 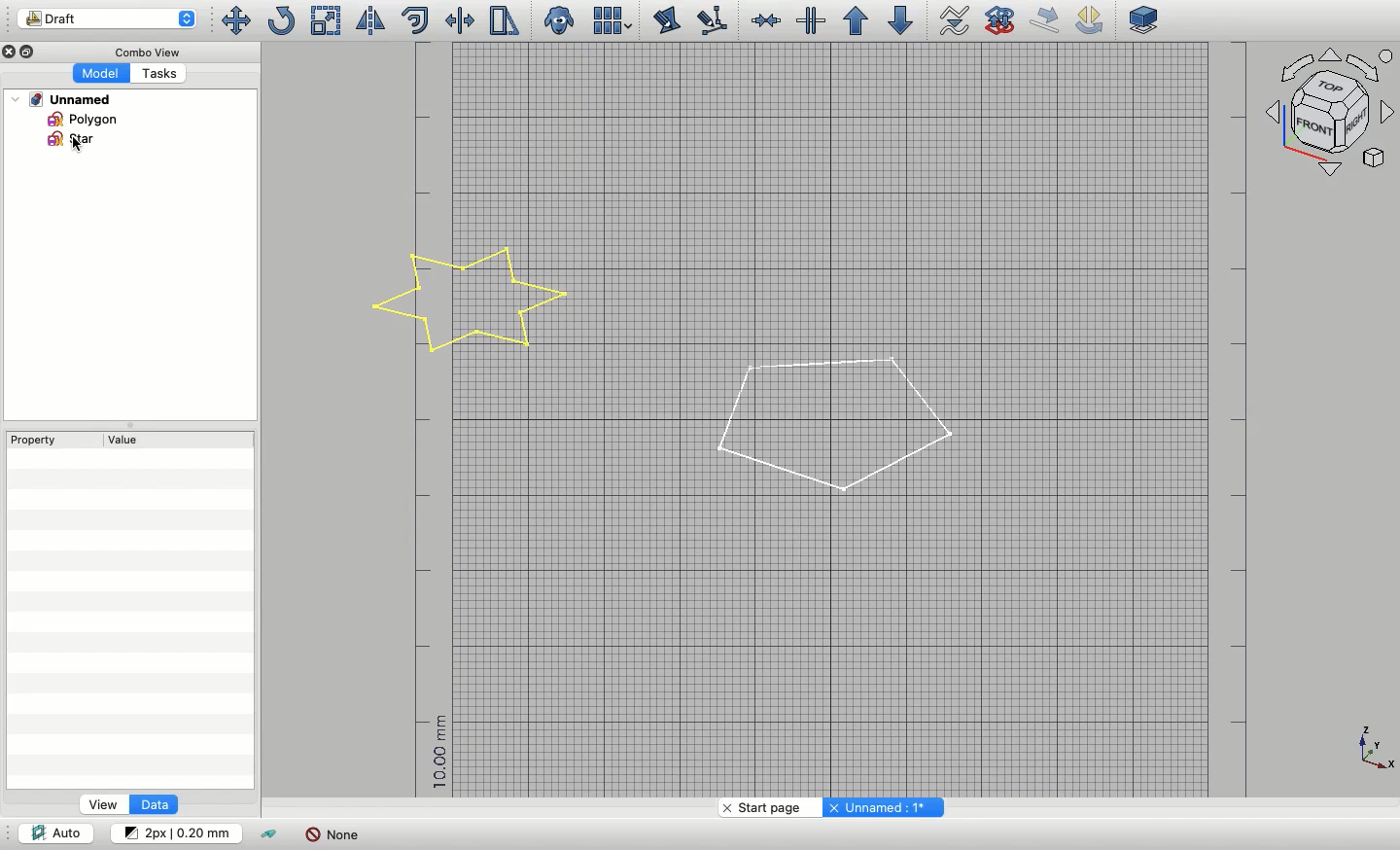 I want to click on Stretch, so click(x=503, y=20).